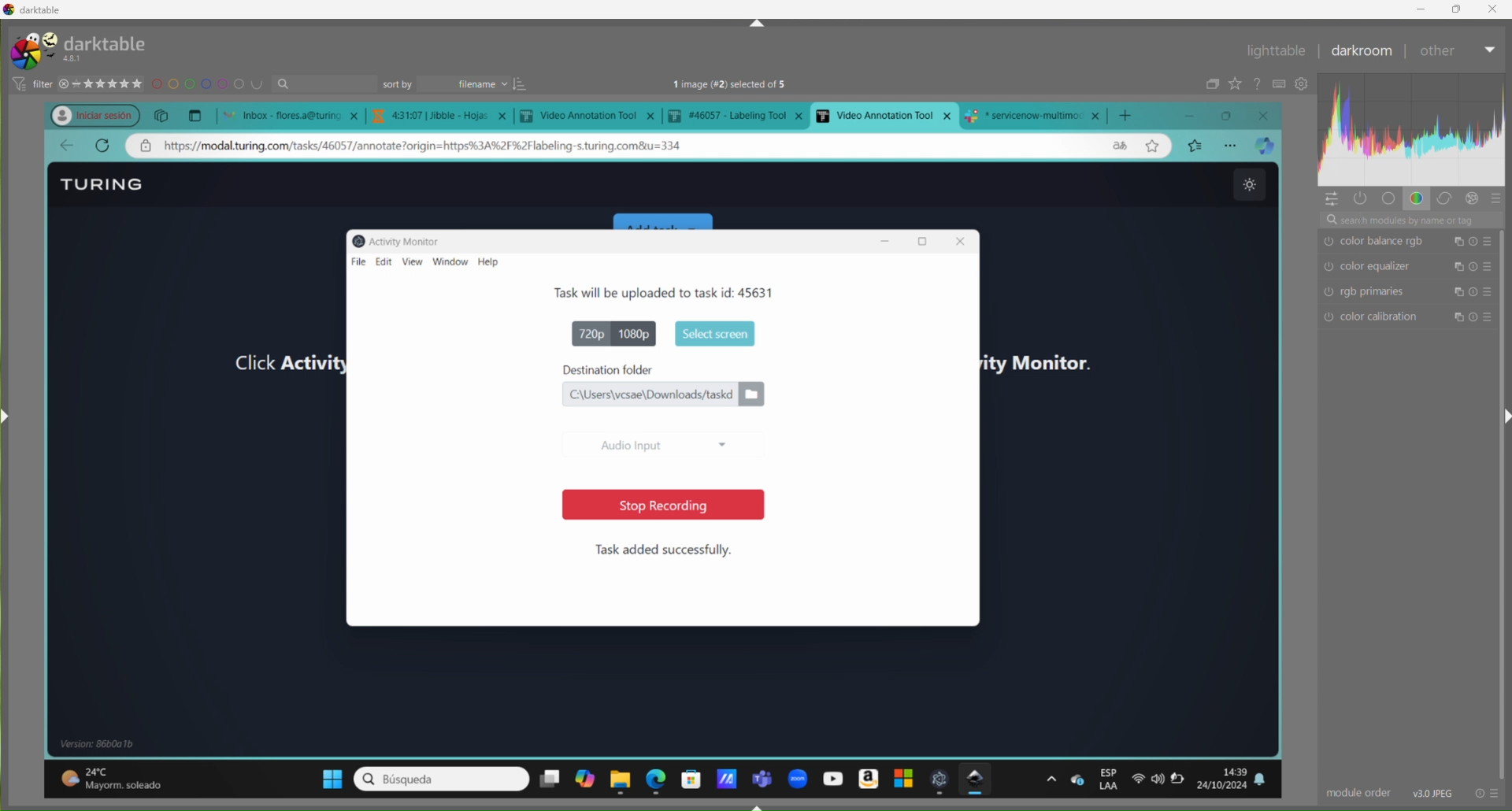  Describe the element at coordinates (1277, 51) in the screenshot. I see `lightable` at that location.